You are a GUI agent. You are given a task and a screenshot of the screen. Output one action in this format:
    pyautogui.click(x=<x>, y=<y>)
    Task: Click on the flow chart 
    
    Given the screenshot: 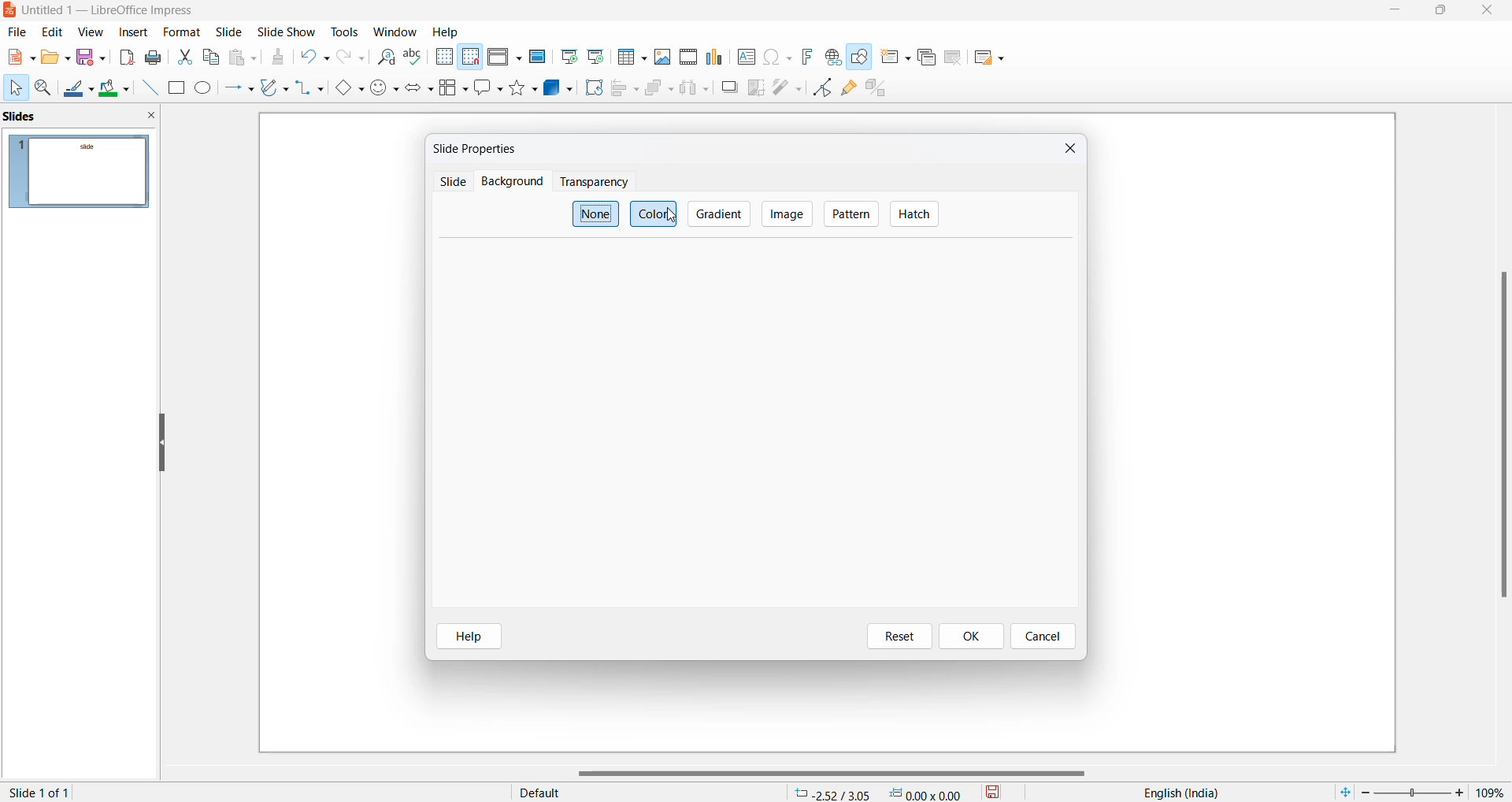 What is the action you would take?
    pyautogui.click(x=454, y=87)
    